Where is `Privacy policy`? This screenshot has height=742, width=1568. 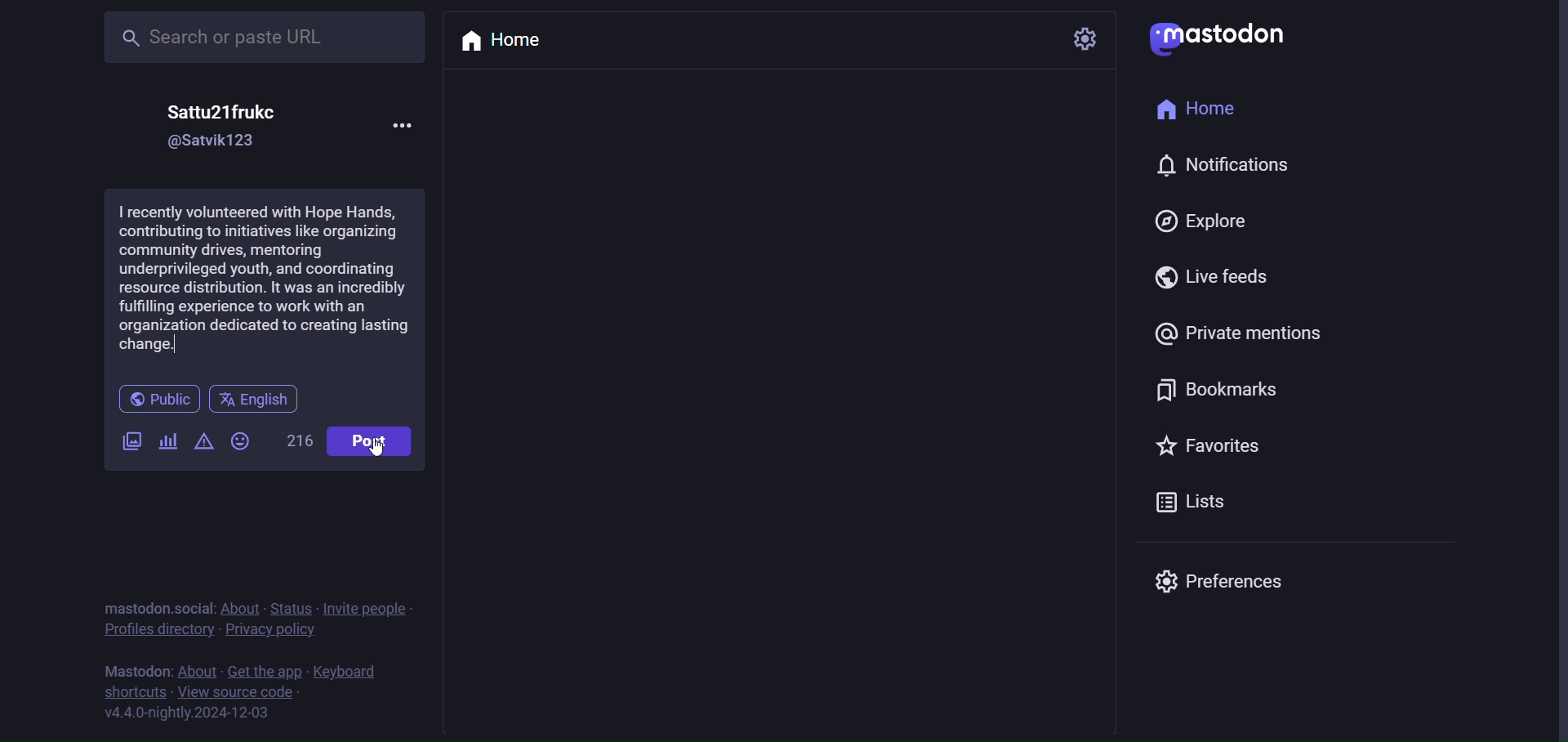 Privacy policy is located at coordinates (274, 633).